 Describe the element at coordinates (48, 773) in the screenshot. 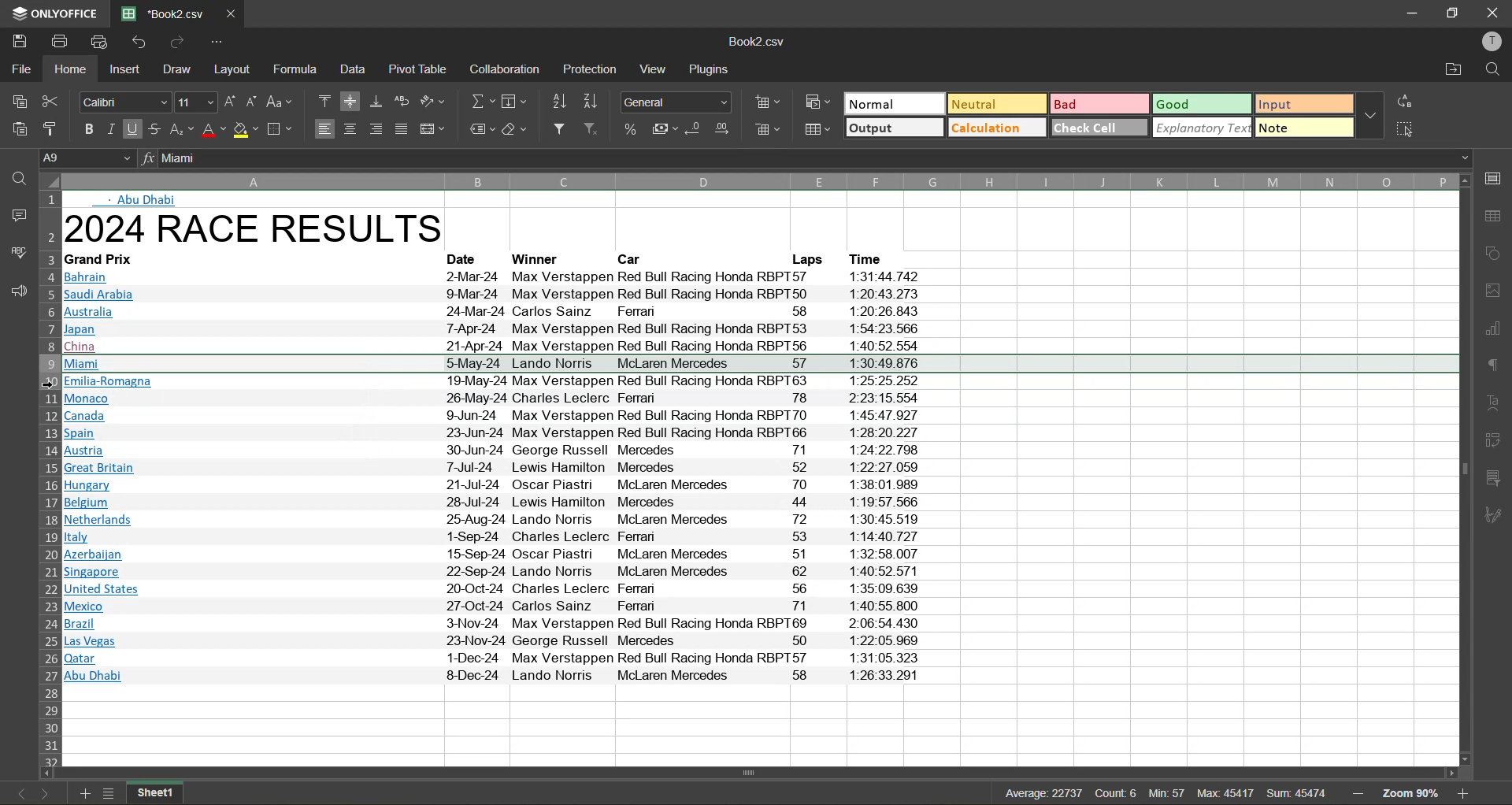

I see `move left` at that location.